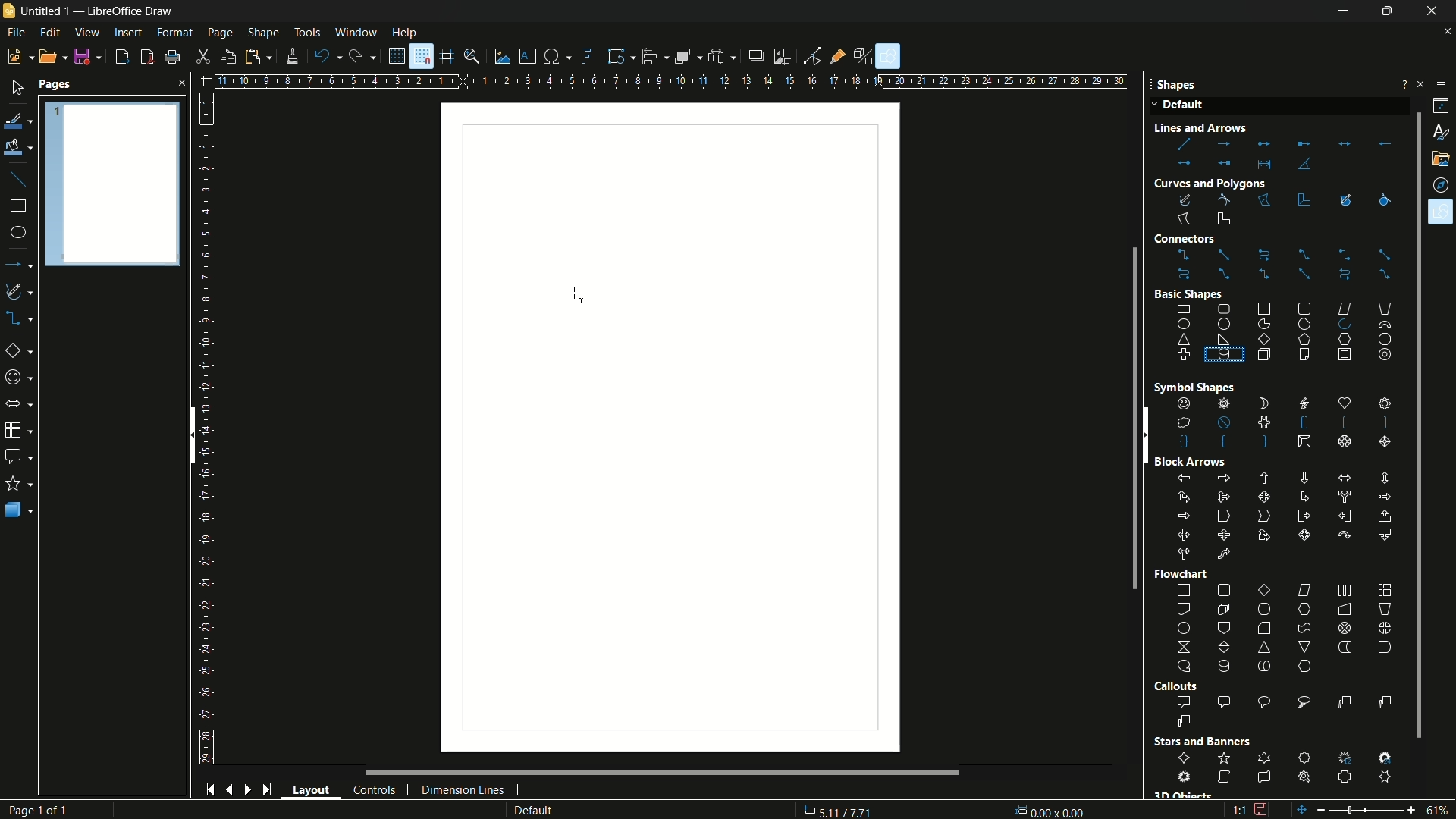  Describe the element at coordinates (355, 32) in the screenshot. I see `window menu` at that location.